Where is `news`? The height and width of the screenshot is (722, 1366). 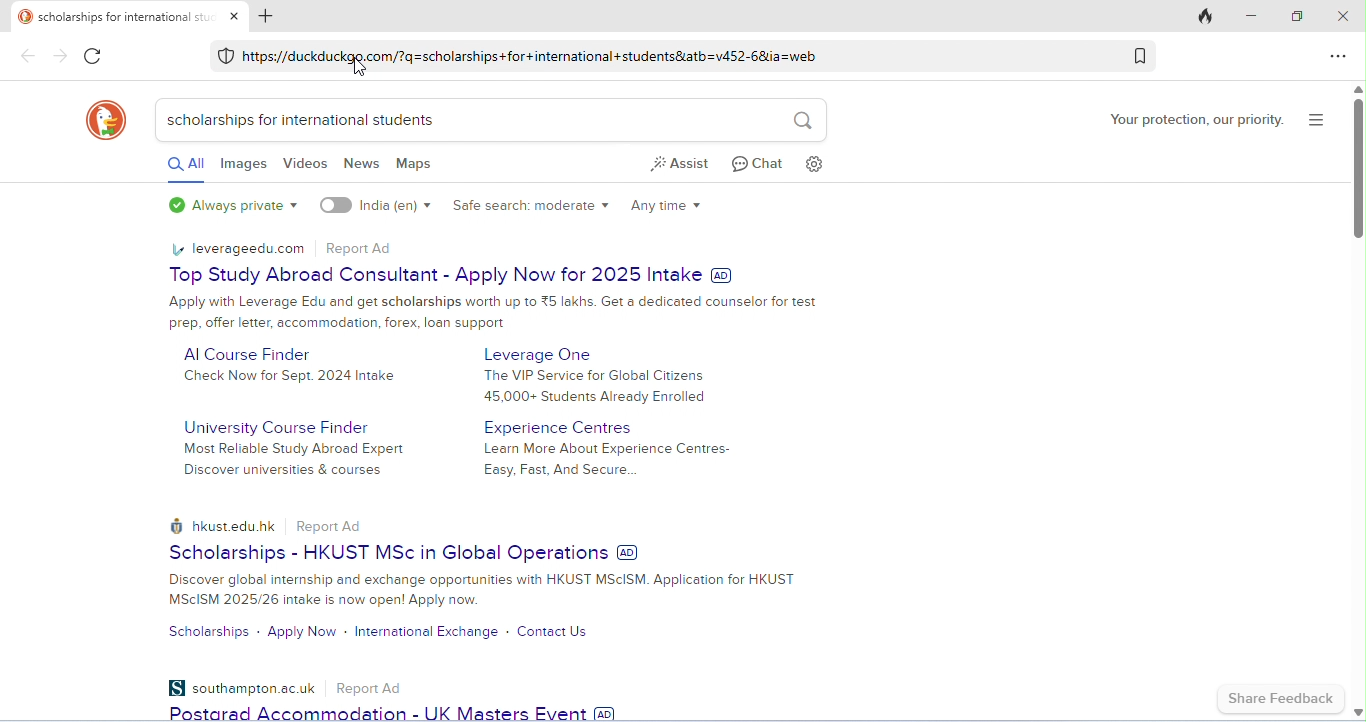 news is located at coordinates (361, 165).